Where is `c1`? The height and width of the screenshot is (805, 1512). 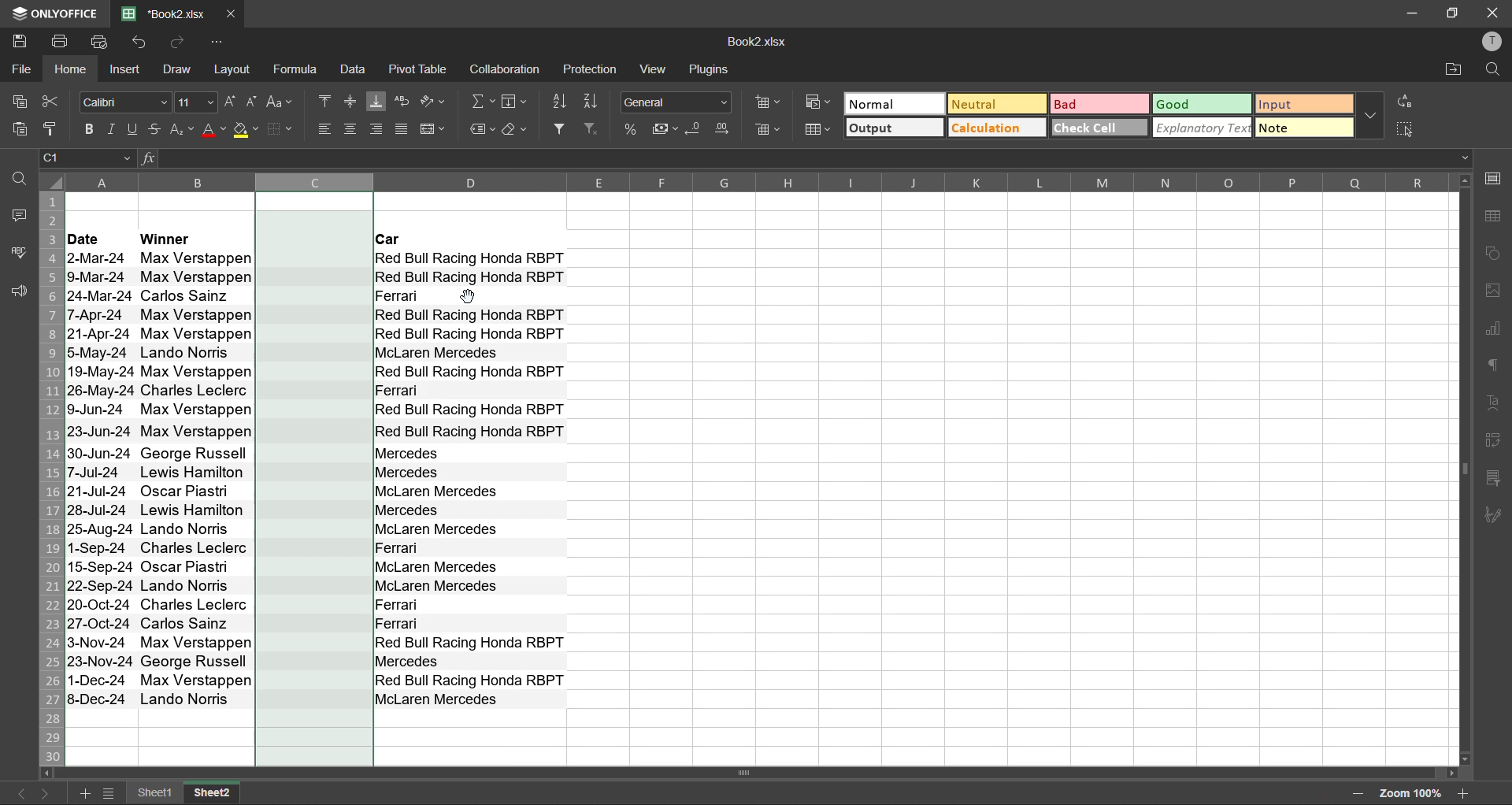 c1 is located at coordinates (88, 160).